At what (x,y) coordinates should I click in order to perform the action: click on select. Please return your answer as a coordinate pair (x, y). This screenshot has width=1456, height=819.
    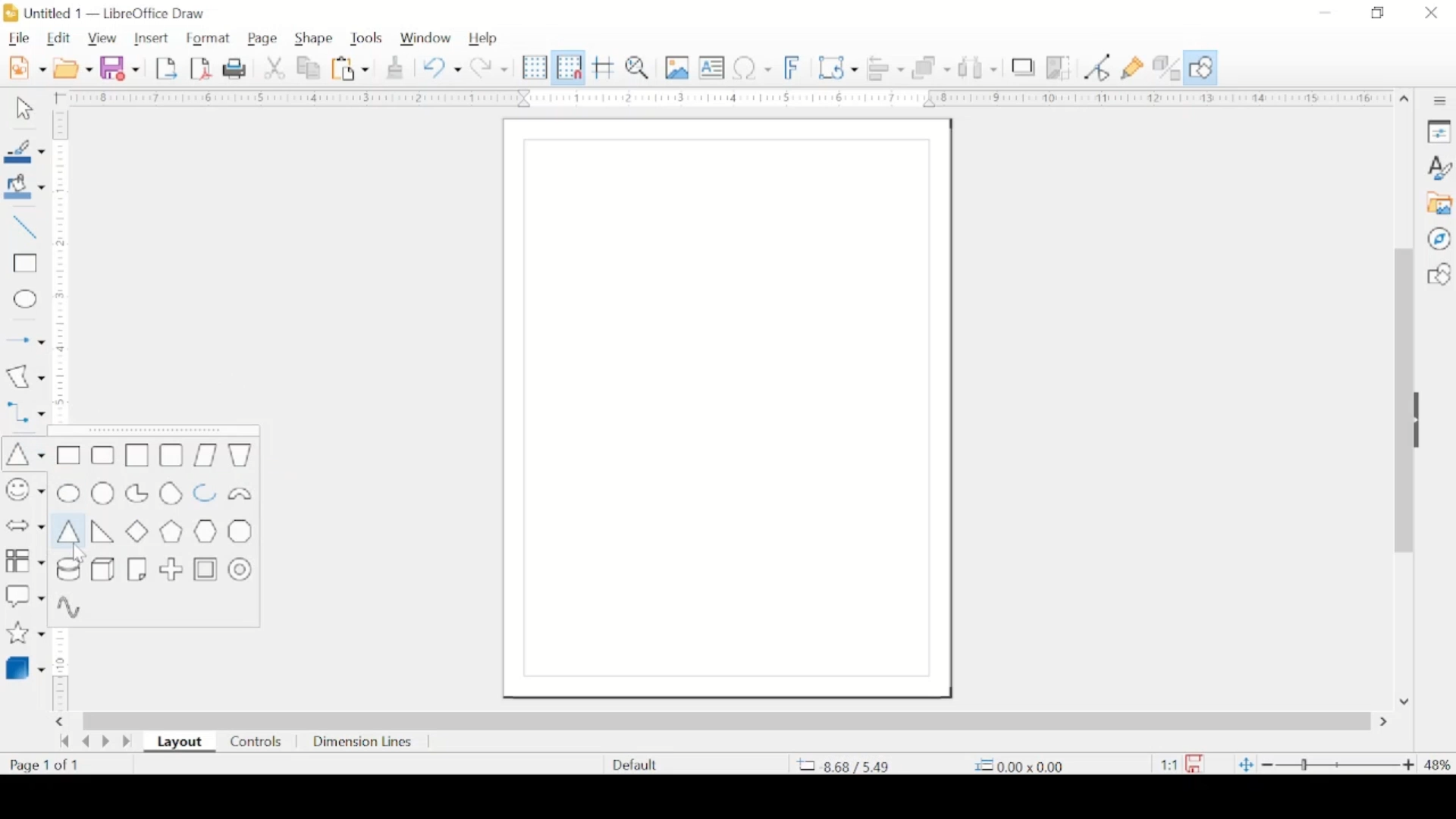
    Looking at the image, I should click on (24, 111).